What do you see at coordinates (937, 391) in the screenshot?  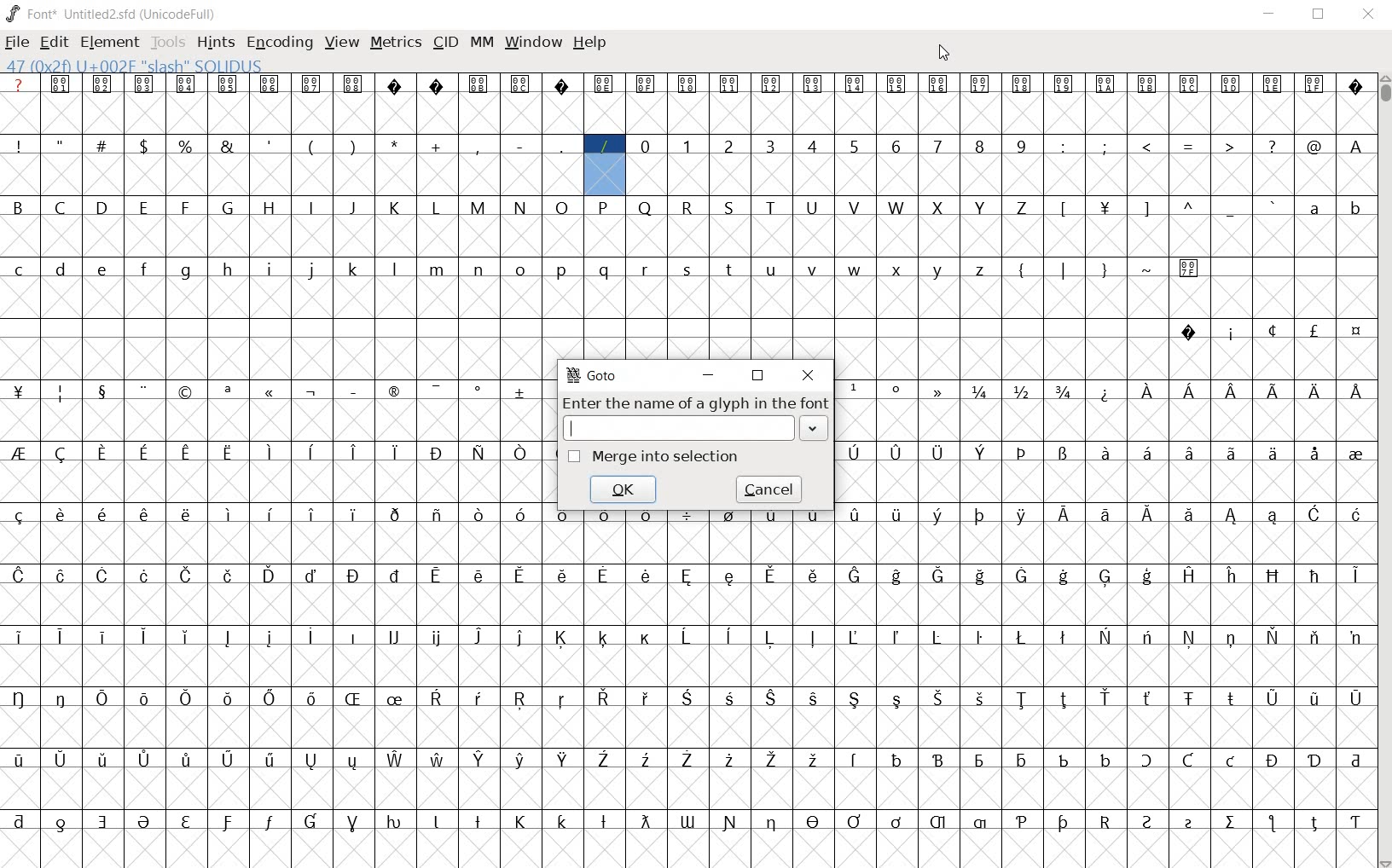 I see `glyph` at bounding box center [937, 391].